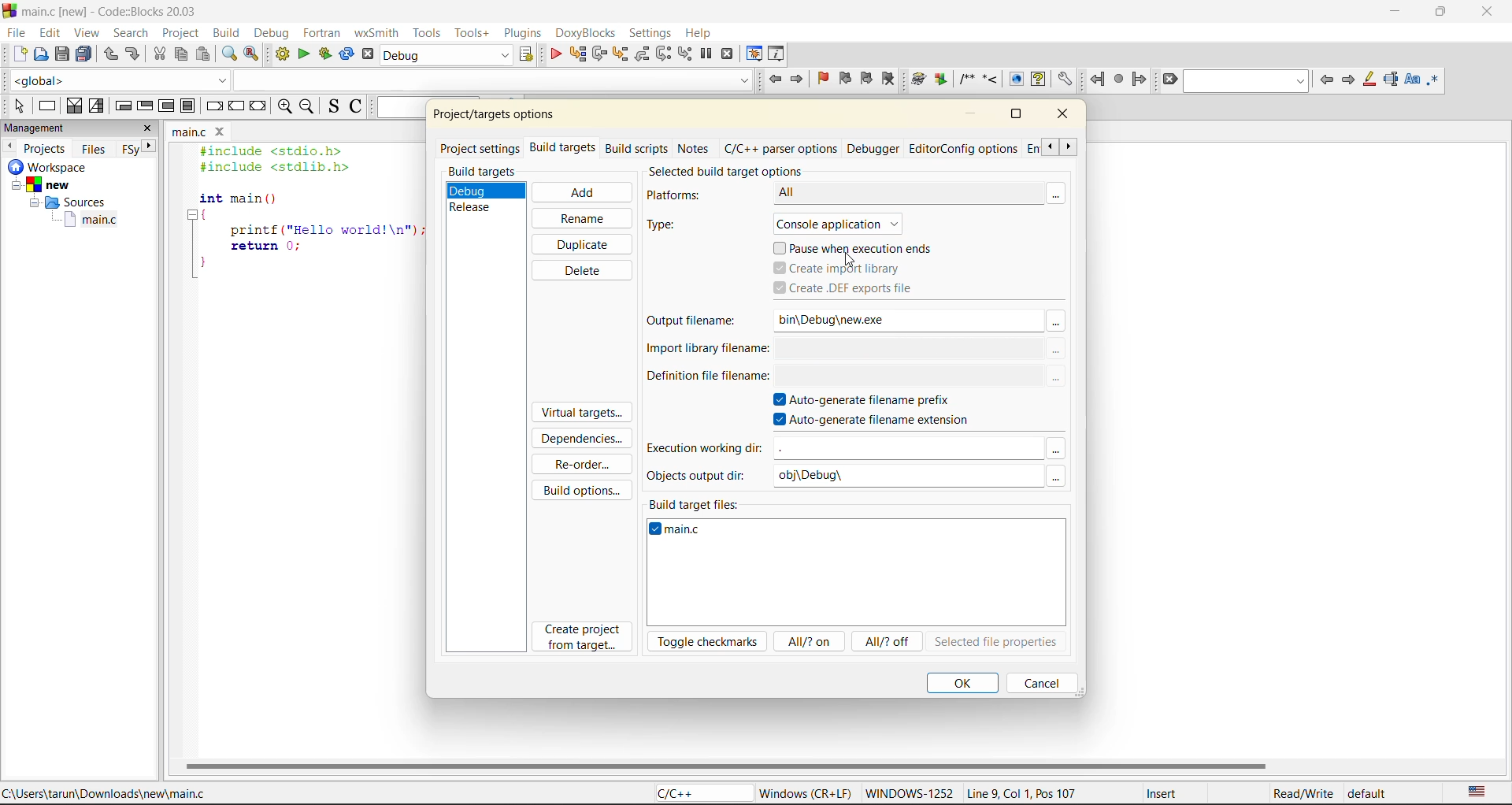 This screenshot has width=1512, height=805. I want to click on add, so click(580, 192).